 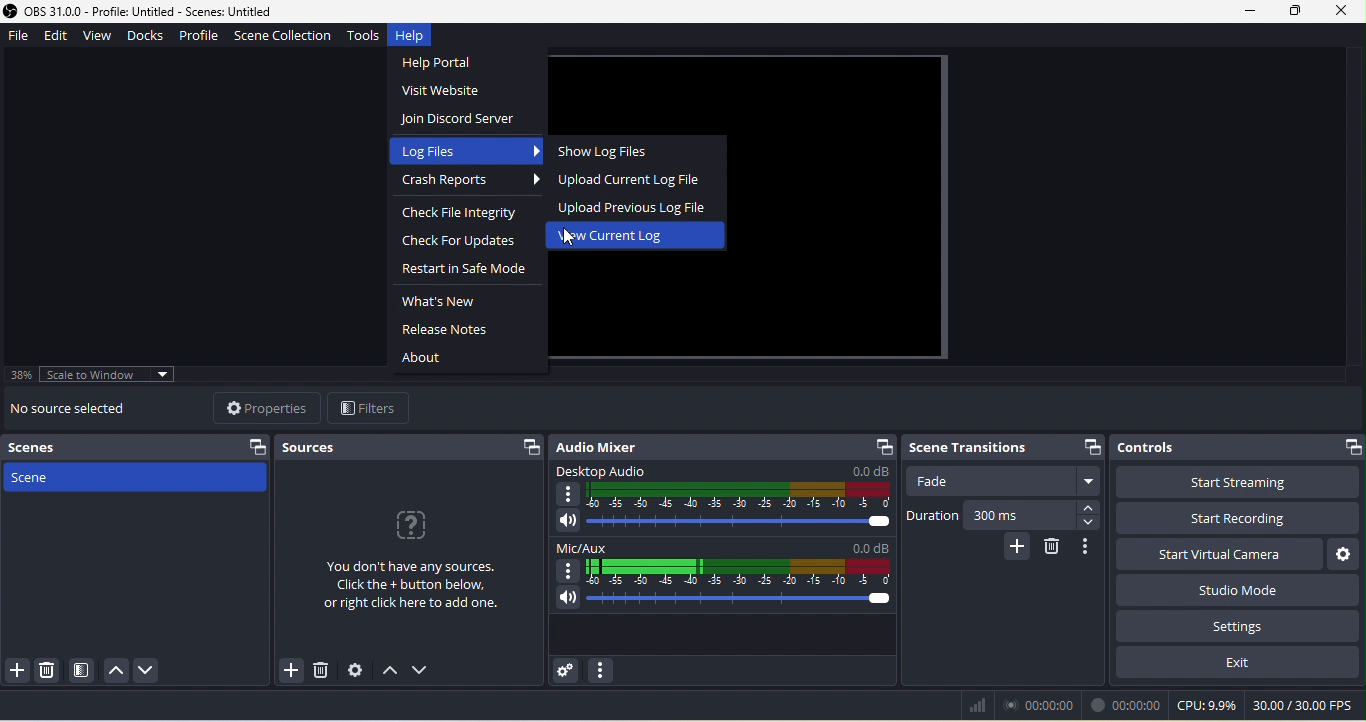 I want to click on sources, so click(x=413, y=447).